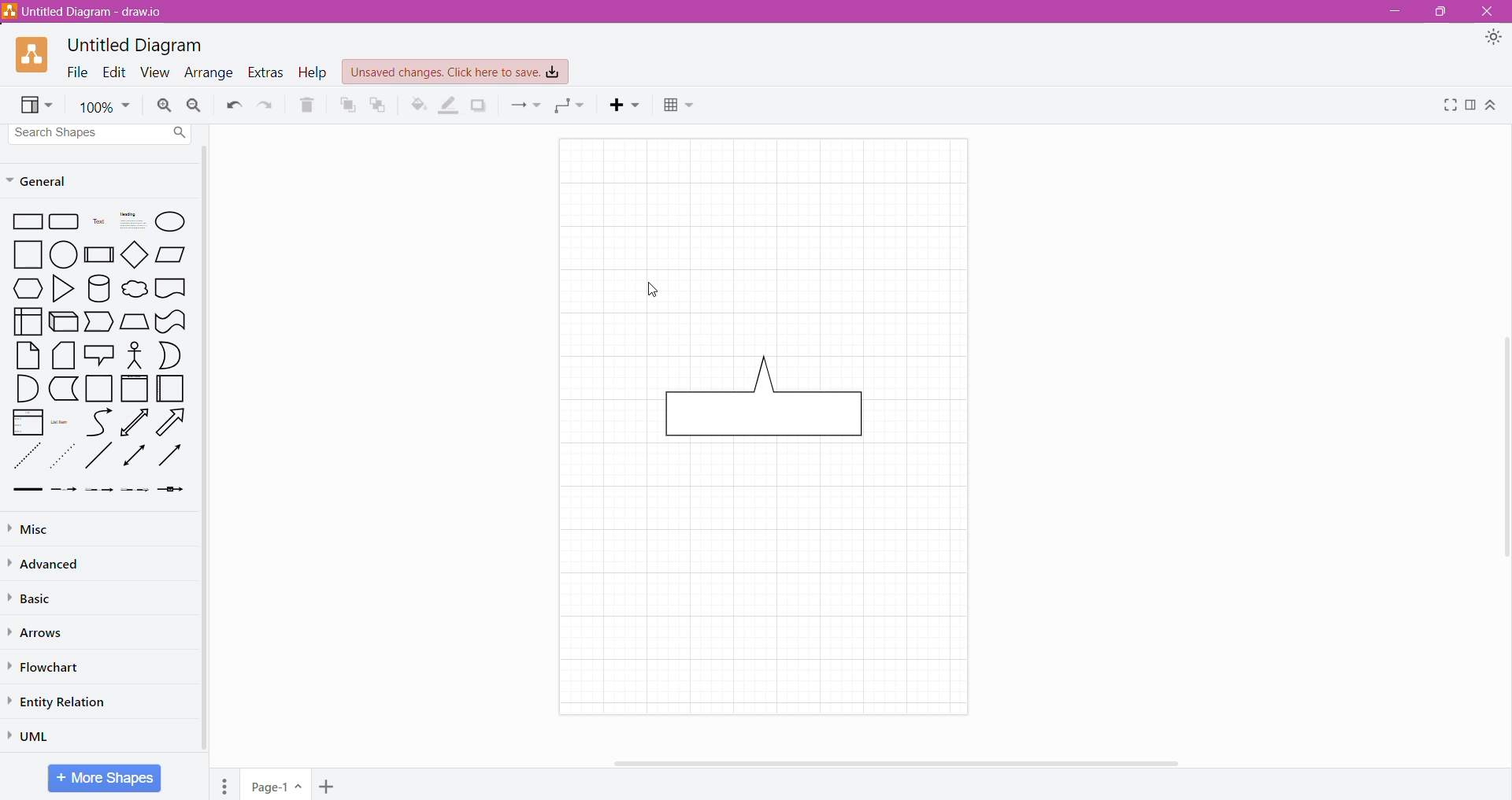  Describe the element at coordinates (1493, 106) in the screenshot. I see `Expand/Collapse` at that location.